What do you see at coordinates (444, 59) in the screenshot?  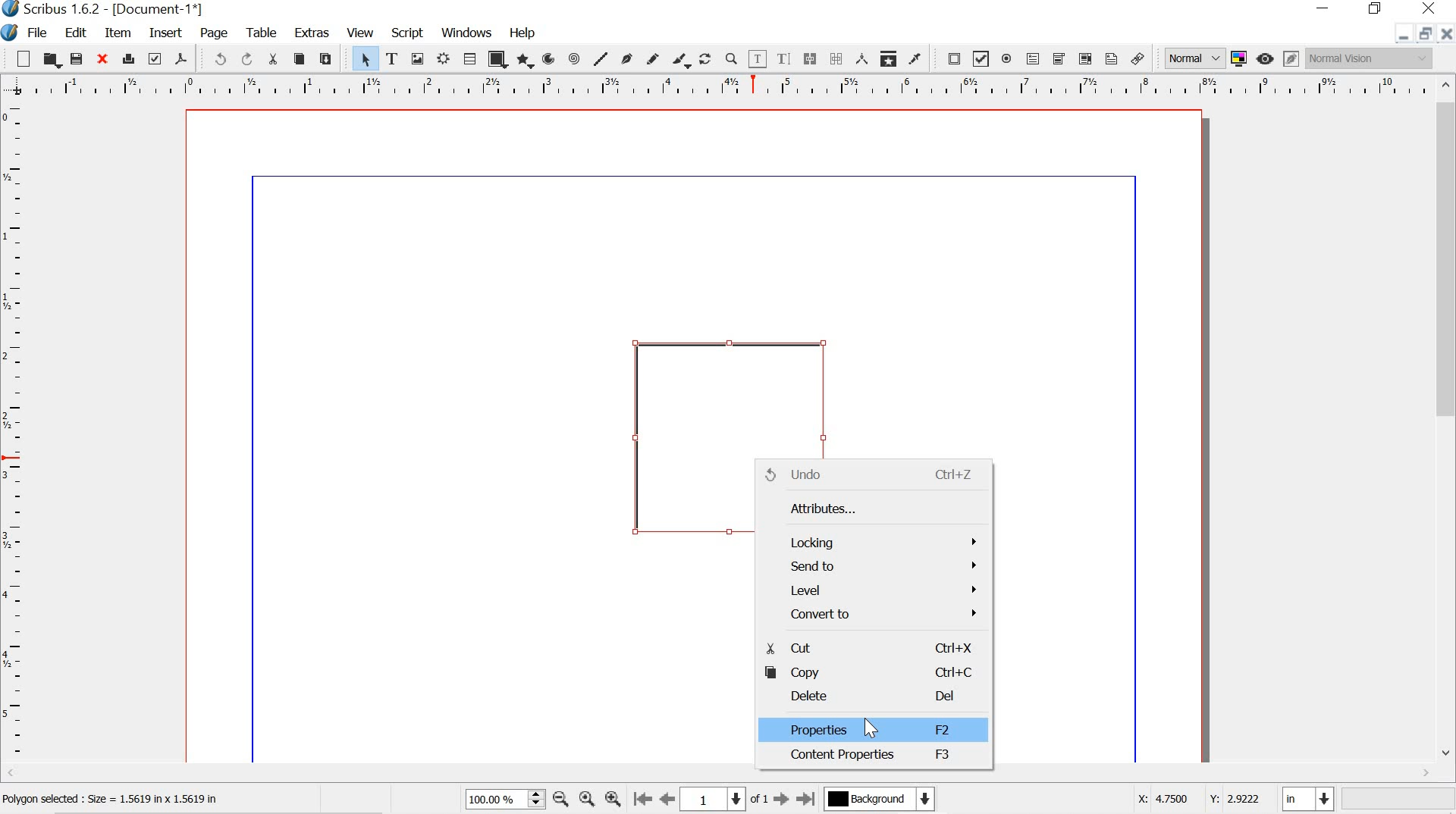 I see `render frame` at bounding box center [444, 59].